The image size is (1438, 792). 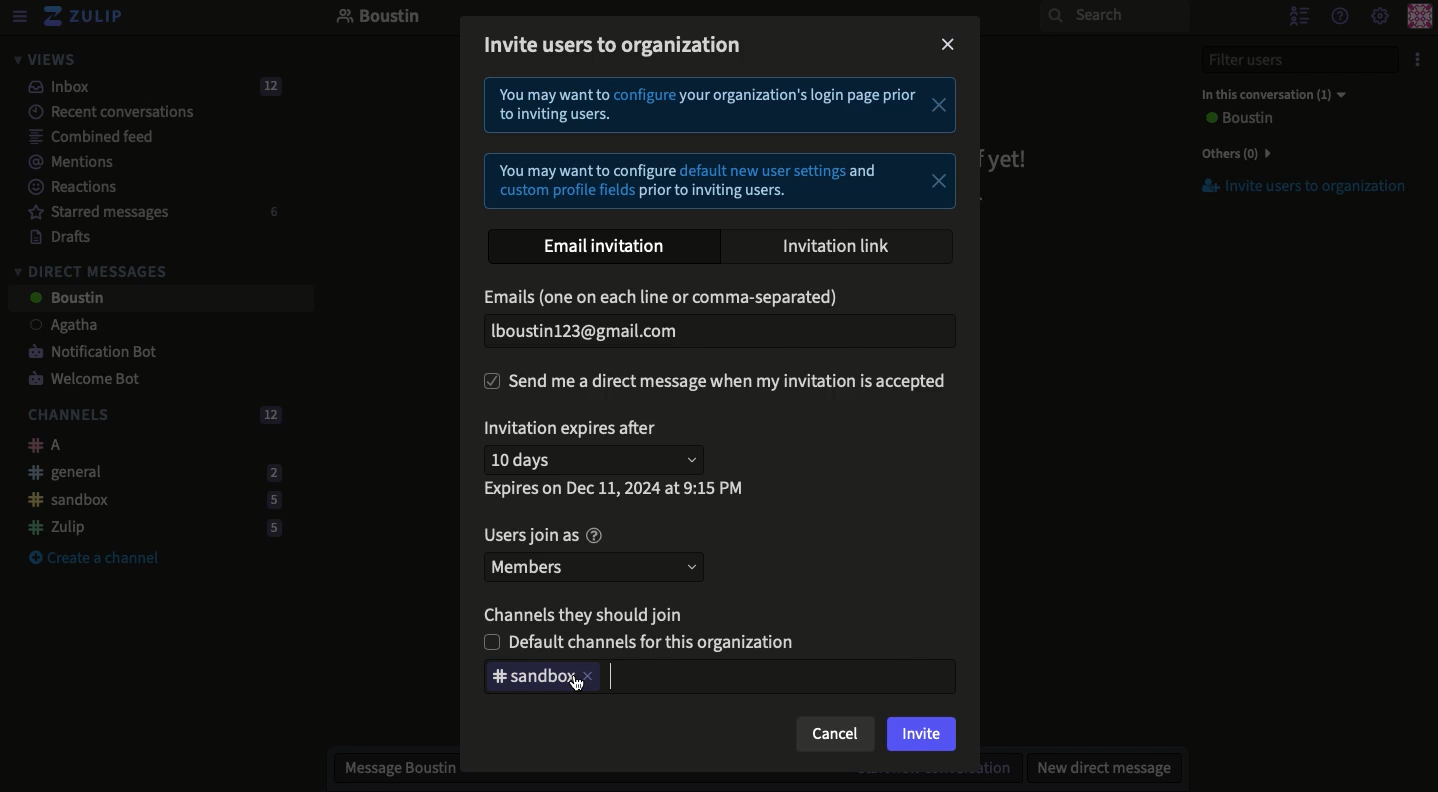 I want to click on 10 days, so click(x=599, y=459).